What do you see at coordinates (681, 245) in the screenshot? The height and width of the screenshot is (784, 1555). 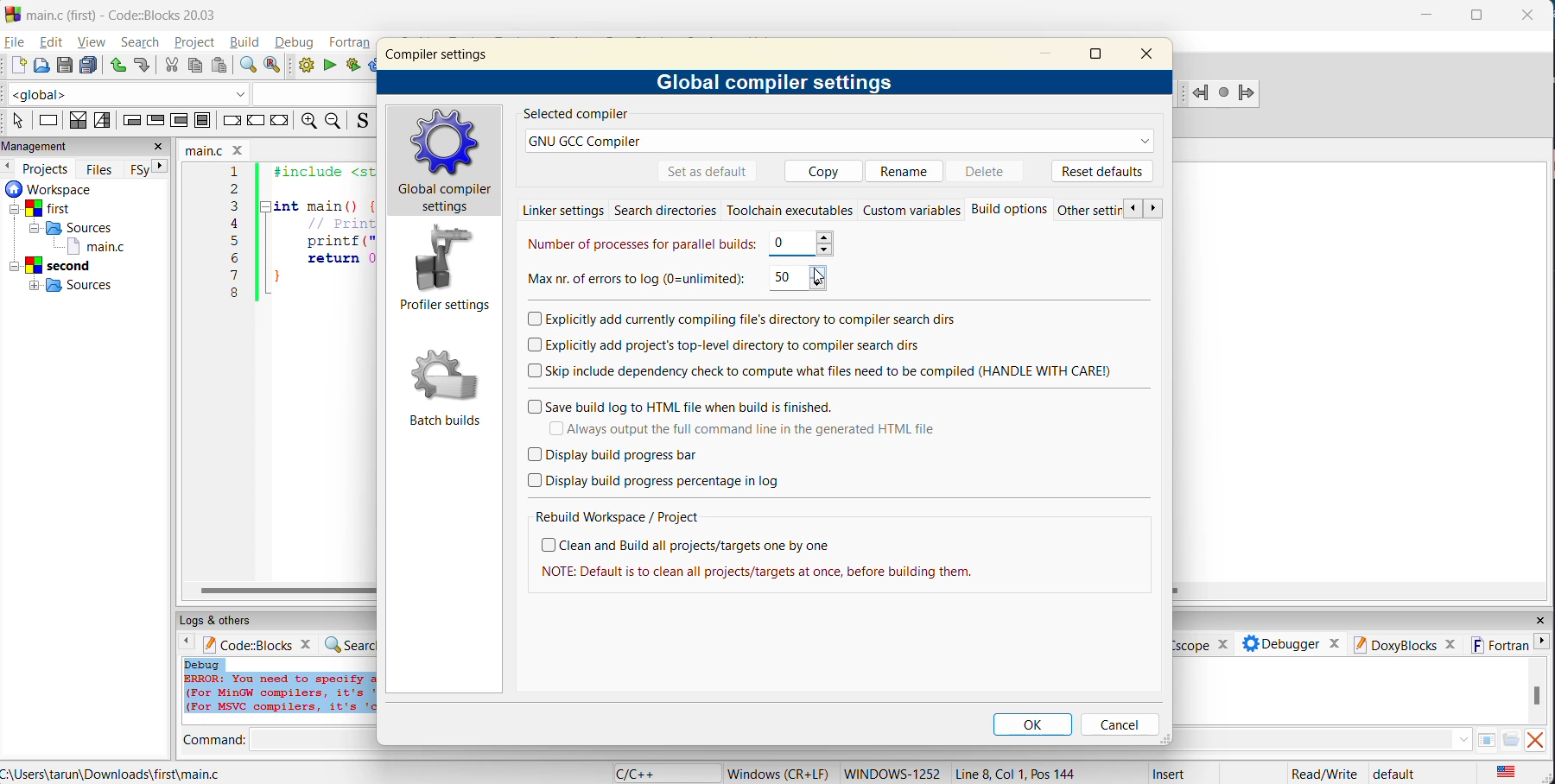 I see `number of processes for parallel builds 0` at bounding box center [681, 245].